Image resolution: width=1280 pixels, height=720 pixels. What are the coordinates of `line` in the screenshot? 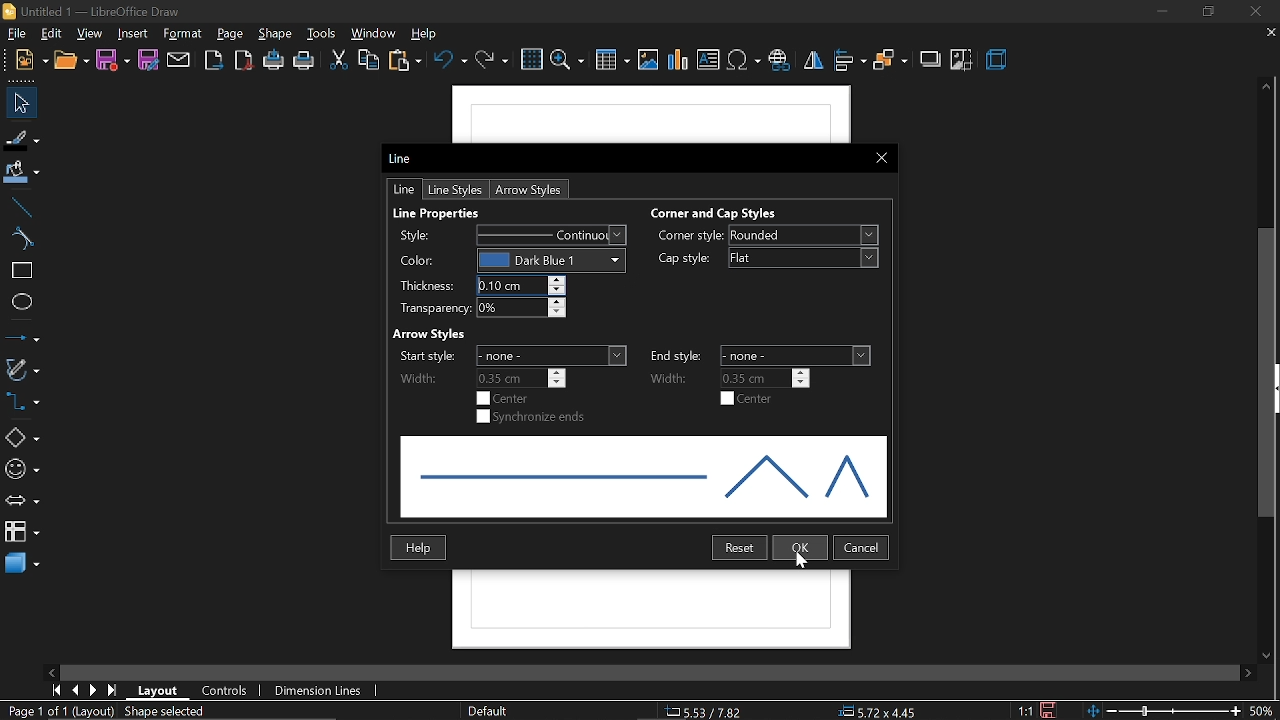 It's located at (406, 190).